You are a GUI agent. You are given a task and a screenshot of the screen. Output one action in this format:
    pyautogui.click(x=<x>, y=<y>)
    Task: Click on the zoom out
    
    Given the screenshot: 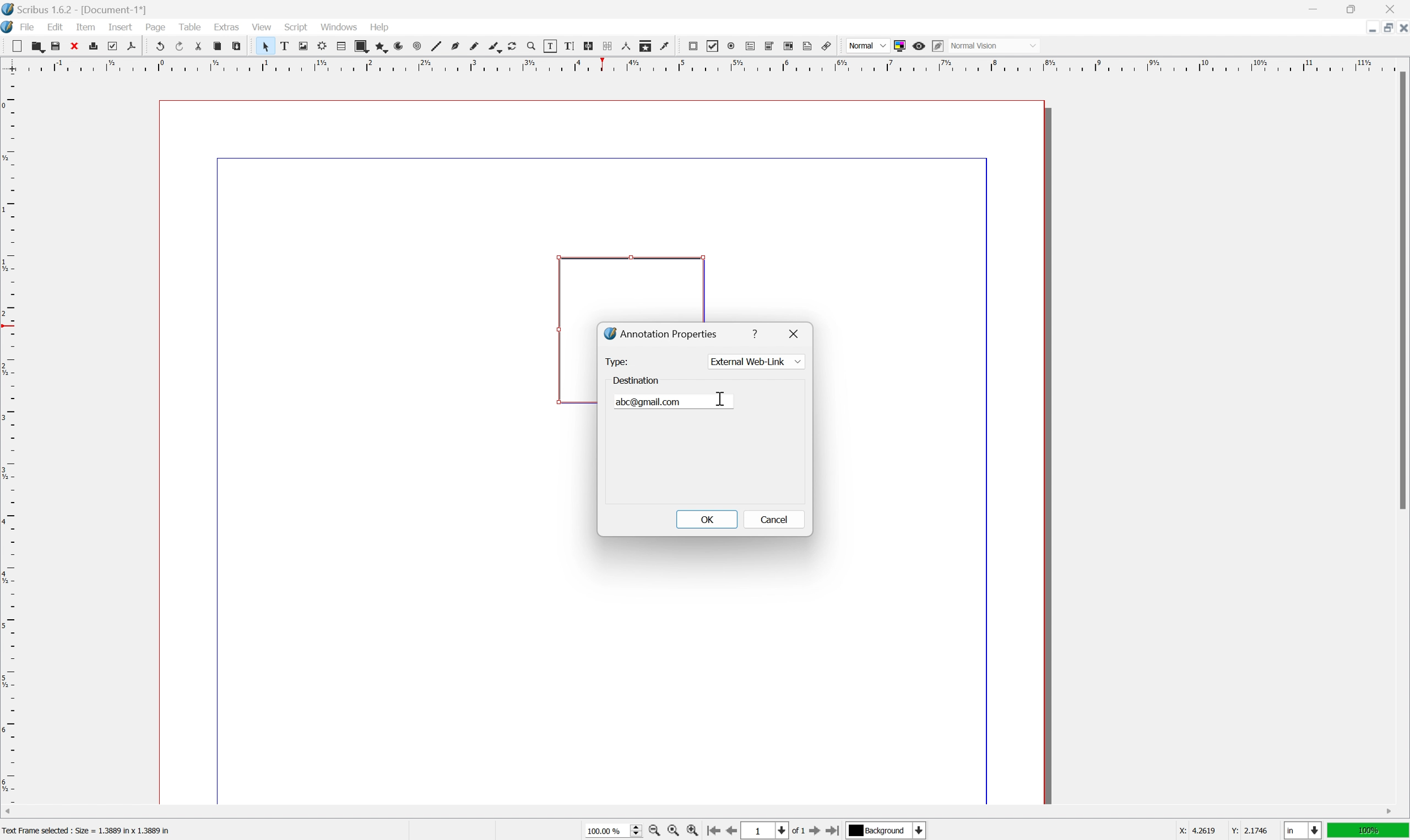 What is the action you would take?
    pyautogui.click(x=653, y=831)
    